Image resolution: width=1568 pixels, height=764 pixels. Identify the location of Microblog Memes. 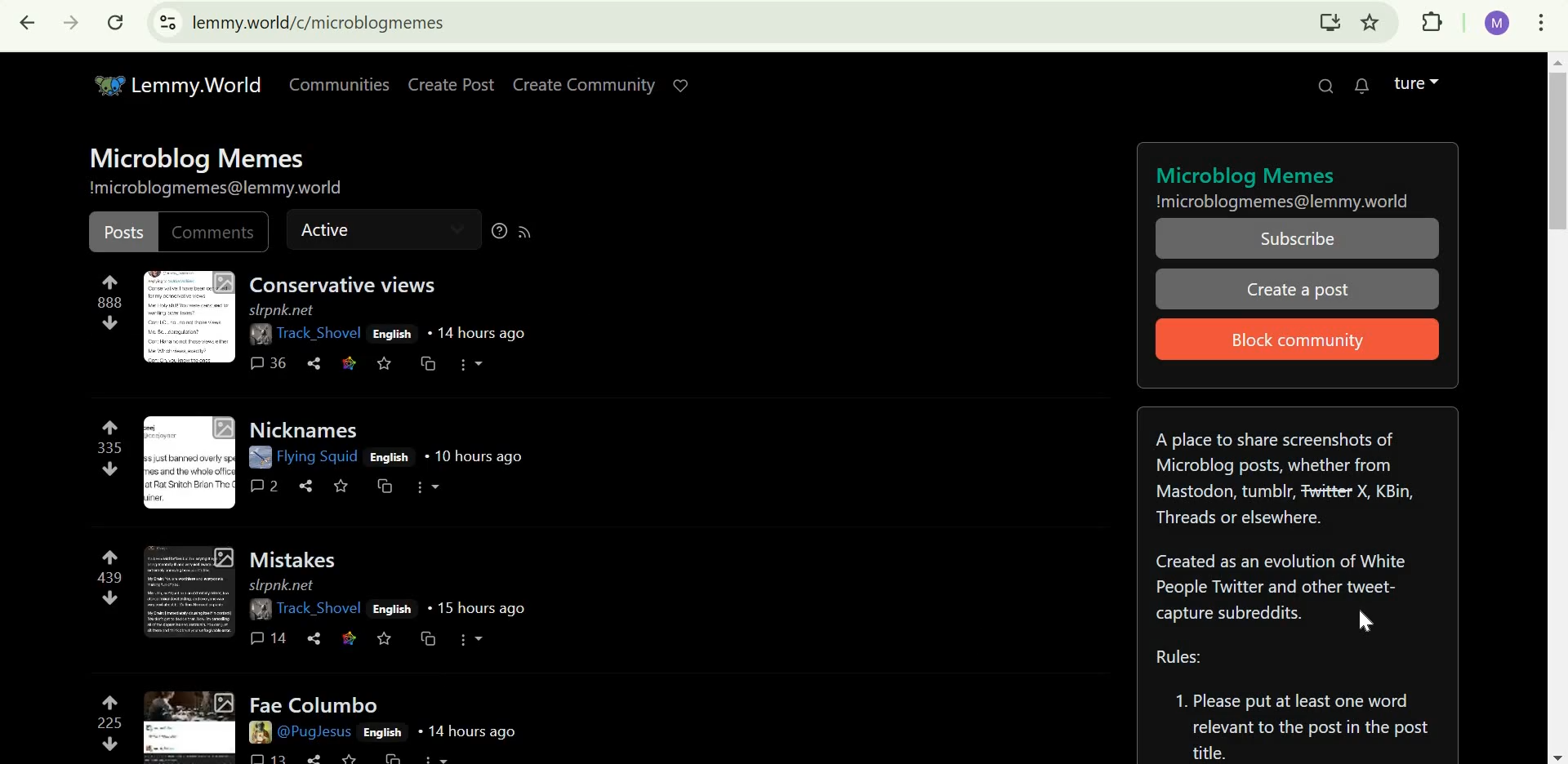
(199, 158).